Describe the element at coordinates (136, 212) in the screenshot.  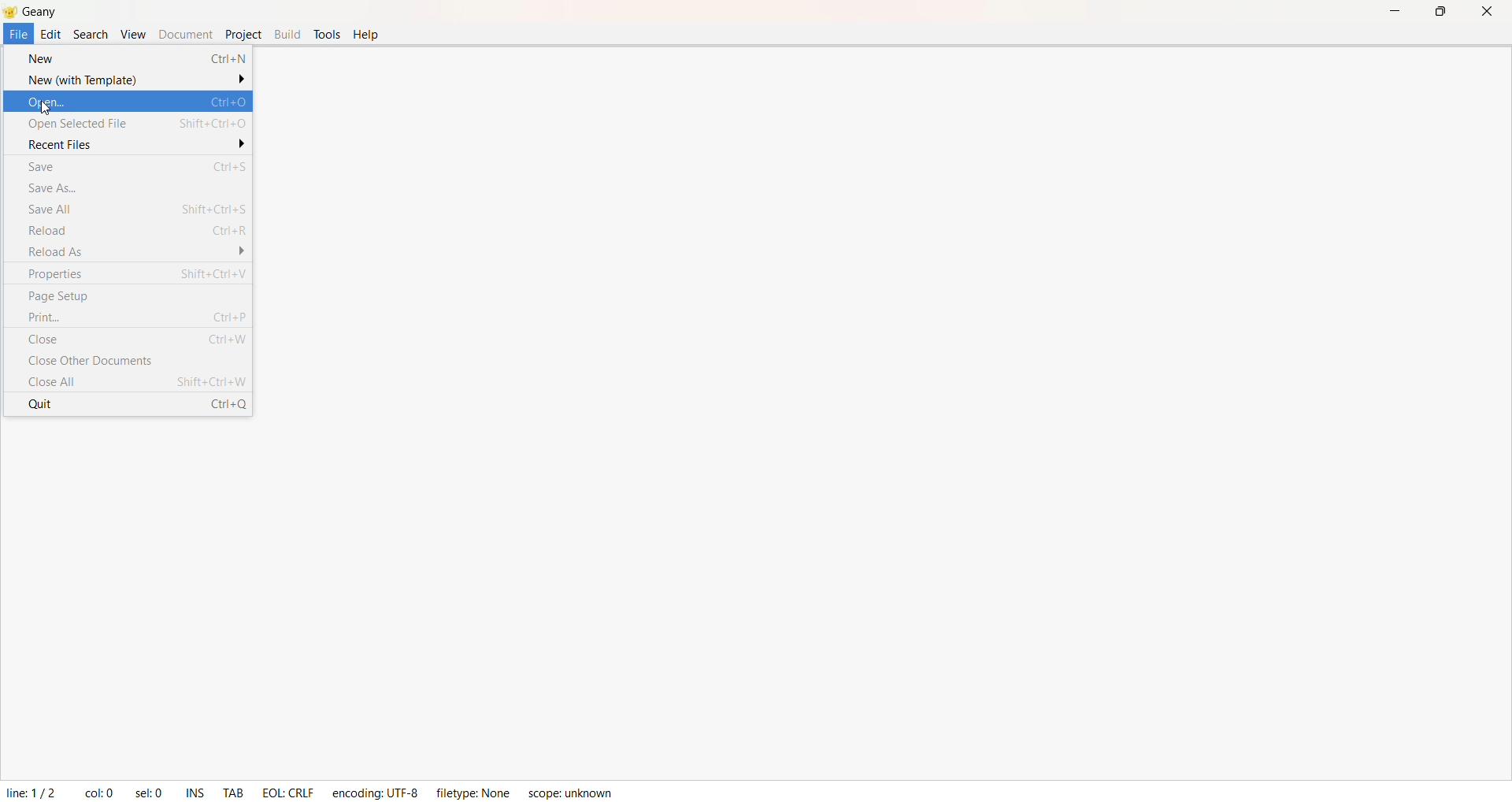
I see `Save ALL` at that location.